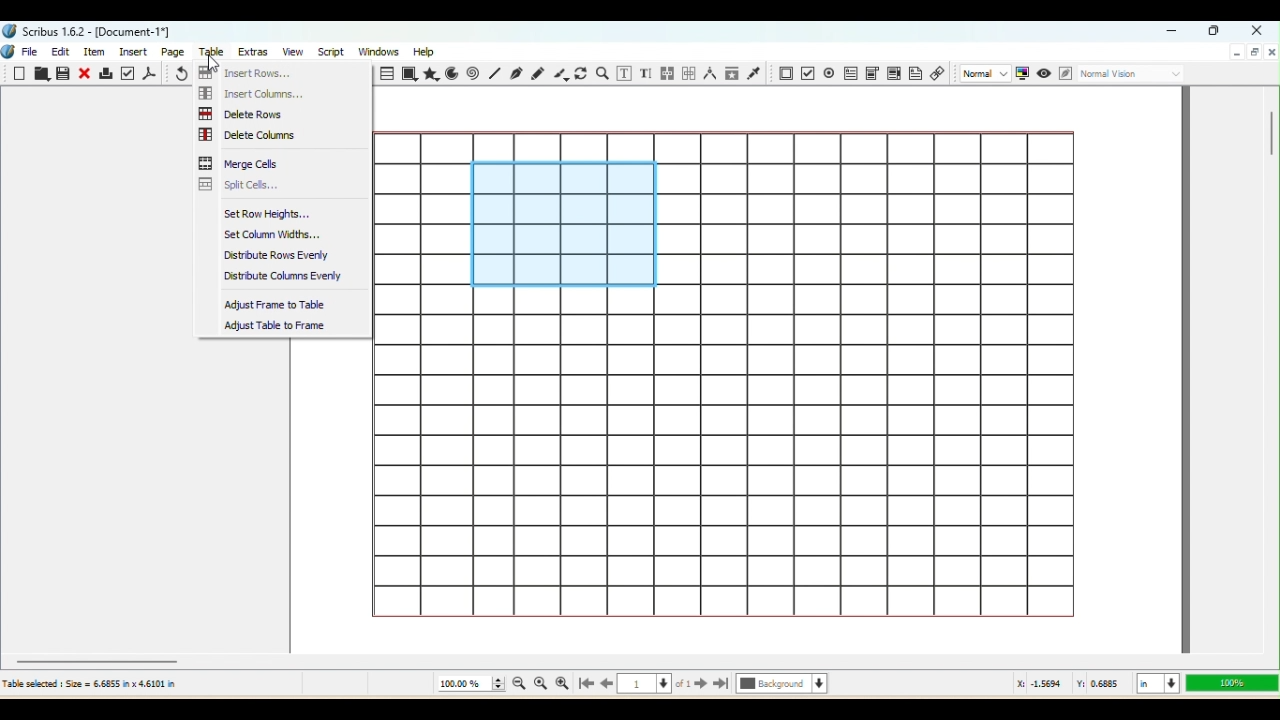 This screenshot has height=720, width=1280. Describe the element at coordinates (106, 75) in the screenshot. I see `Print` at that location.